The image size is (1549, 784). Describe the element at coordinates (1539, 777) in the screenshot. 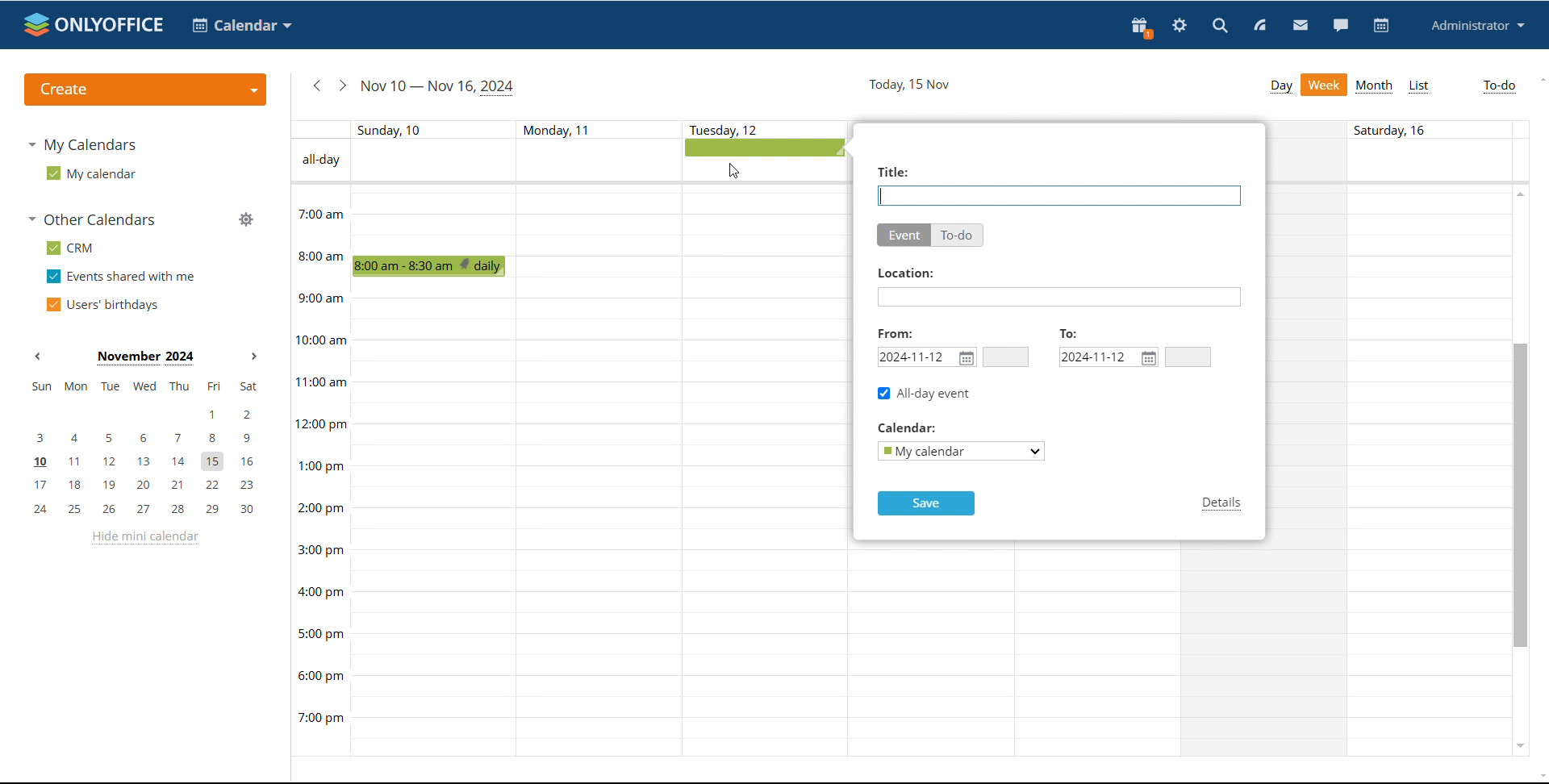

I see `scroll down` at that location.